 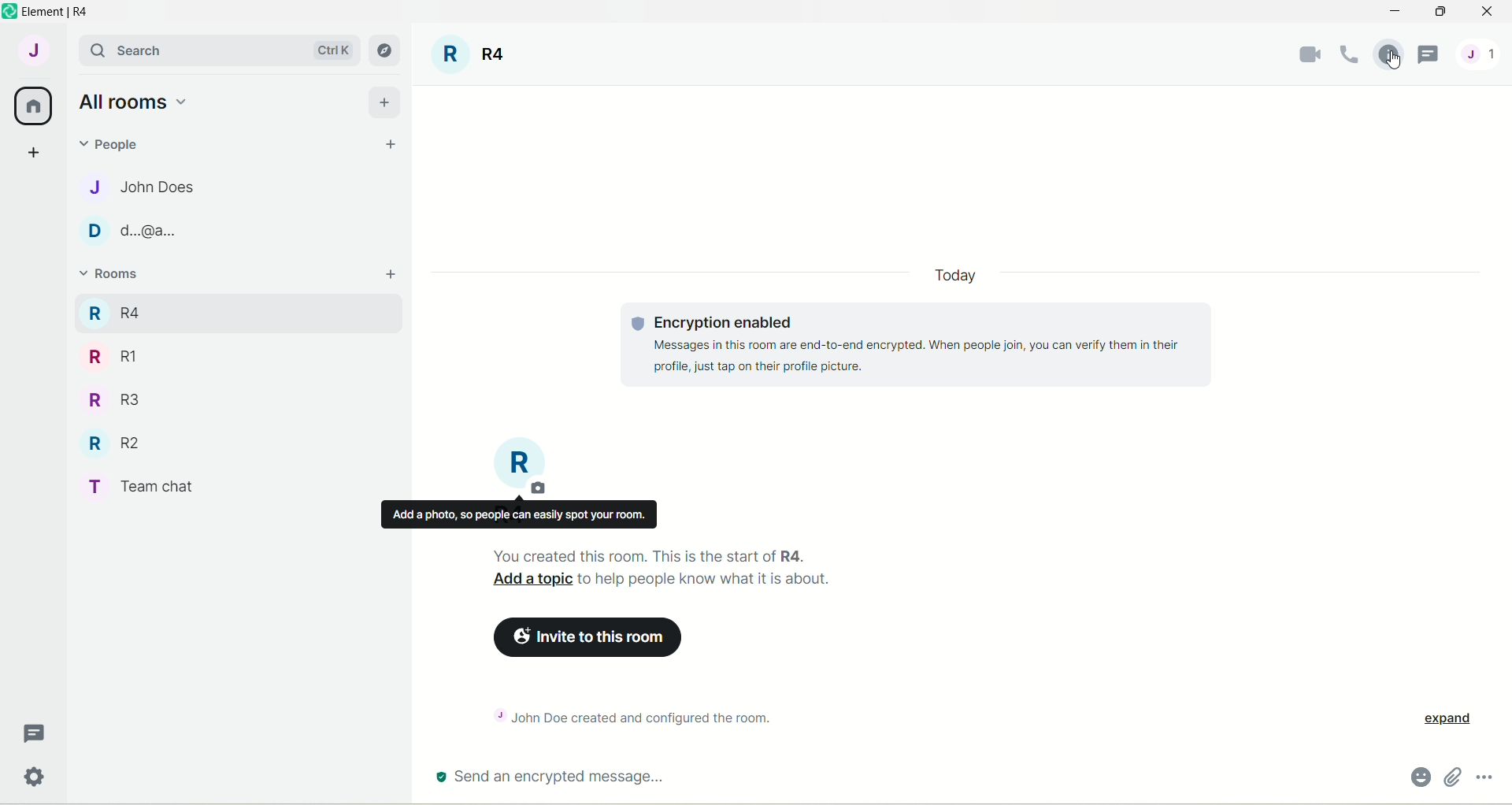 What do you see at coordinates (1443, 13) in the screenshot?
I see `maximize` at bounding box center [1443, 13].